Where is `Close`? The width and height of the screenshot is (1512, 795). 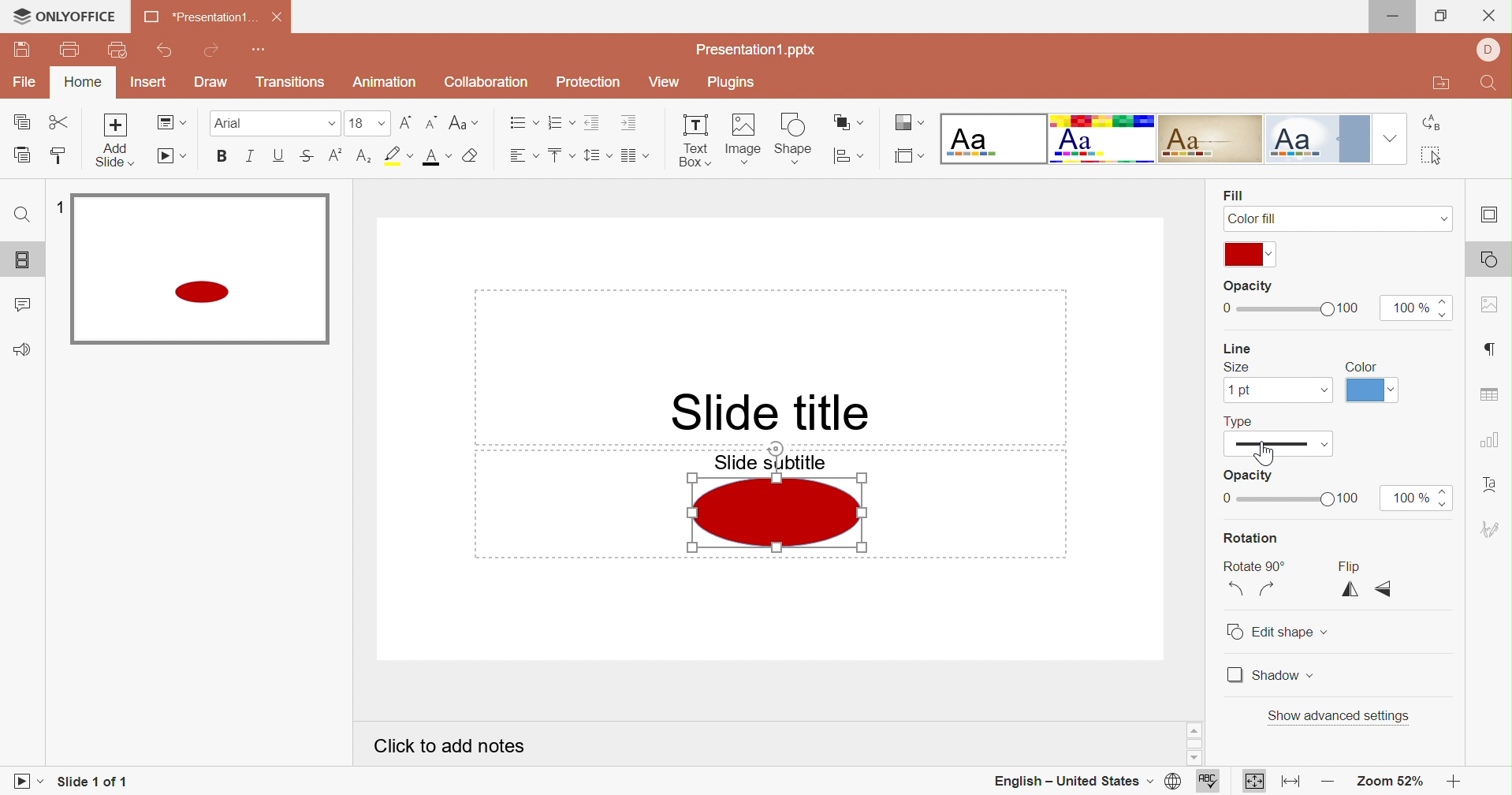
Close is located at coordinates (277, 19).